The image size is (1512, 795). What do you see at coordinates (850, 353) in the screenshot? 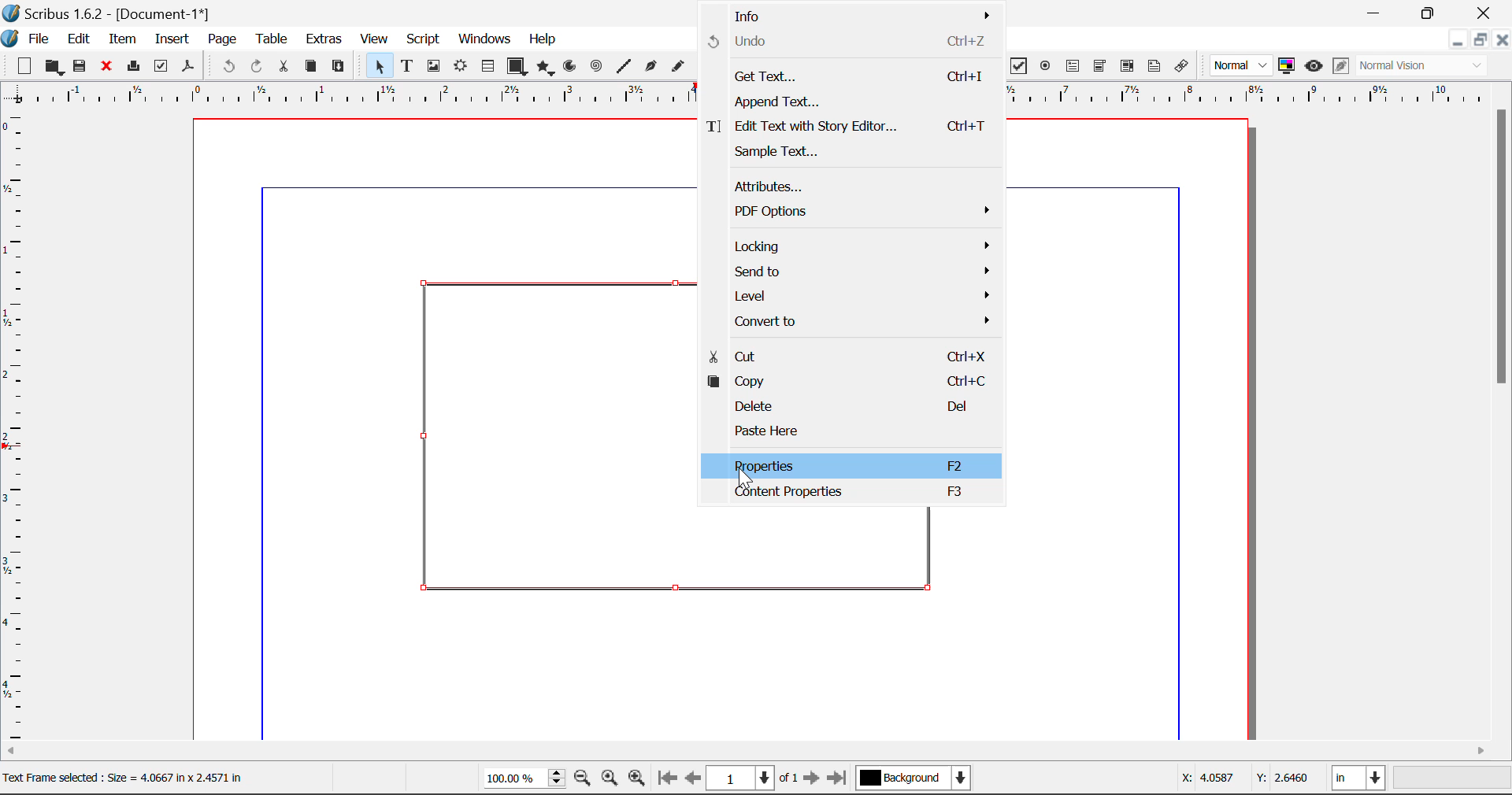
I see `Cut` at bounding box center [850, 353].